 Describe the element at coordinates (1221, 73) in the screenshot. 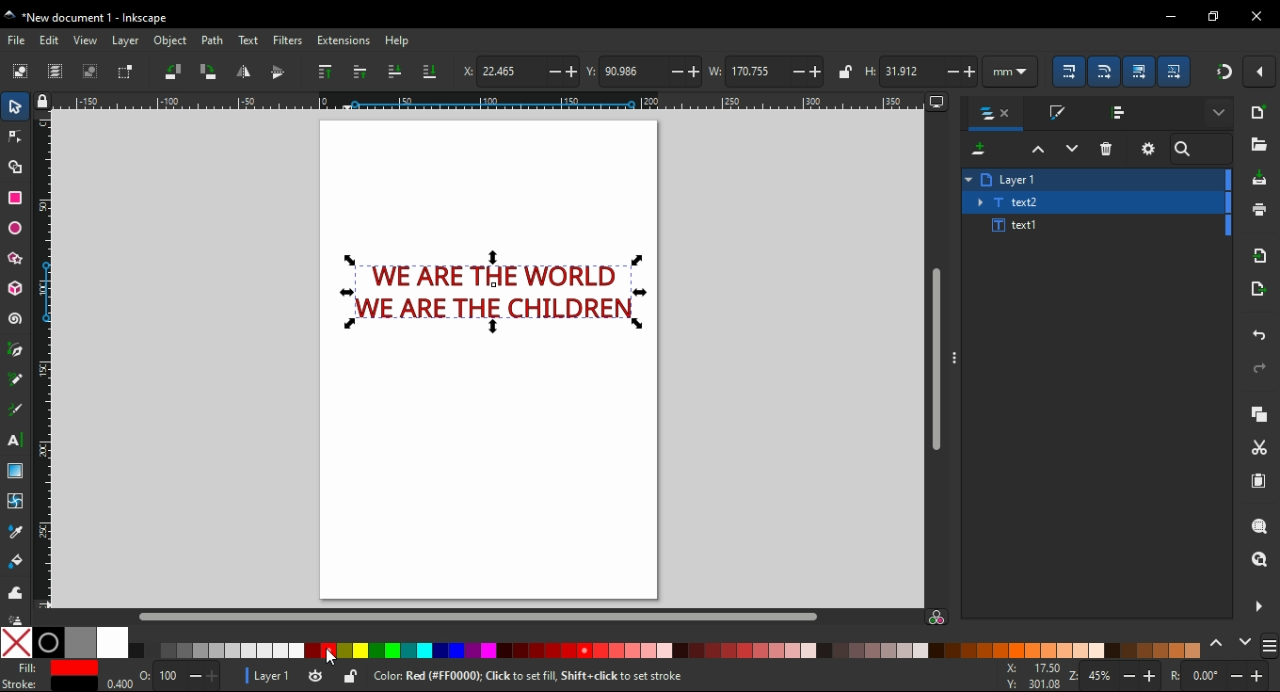

I see `snap` at that location.